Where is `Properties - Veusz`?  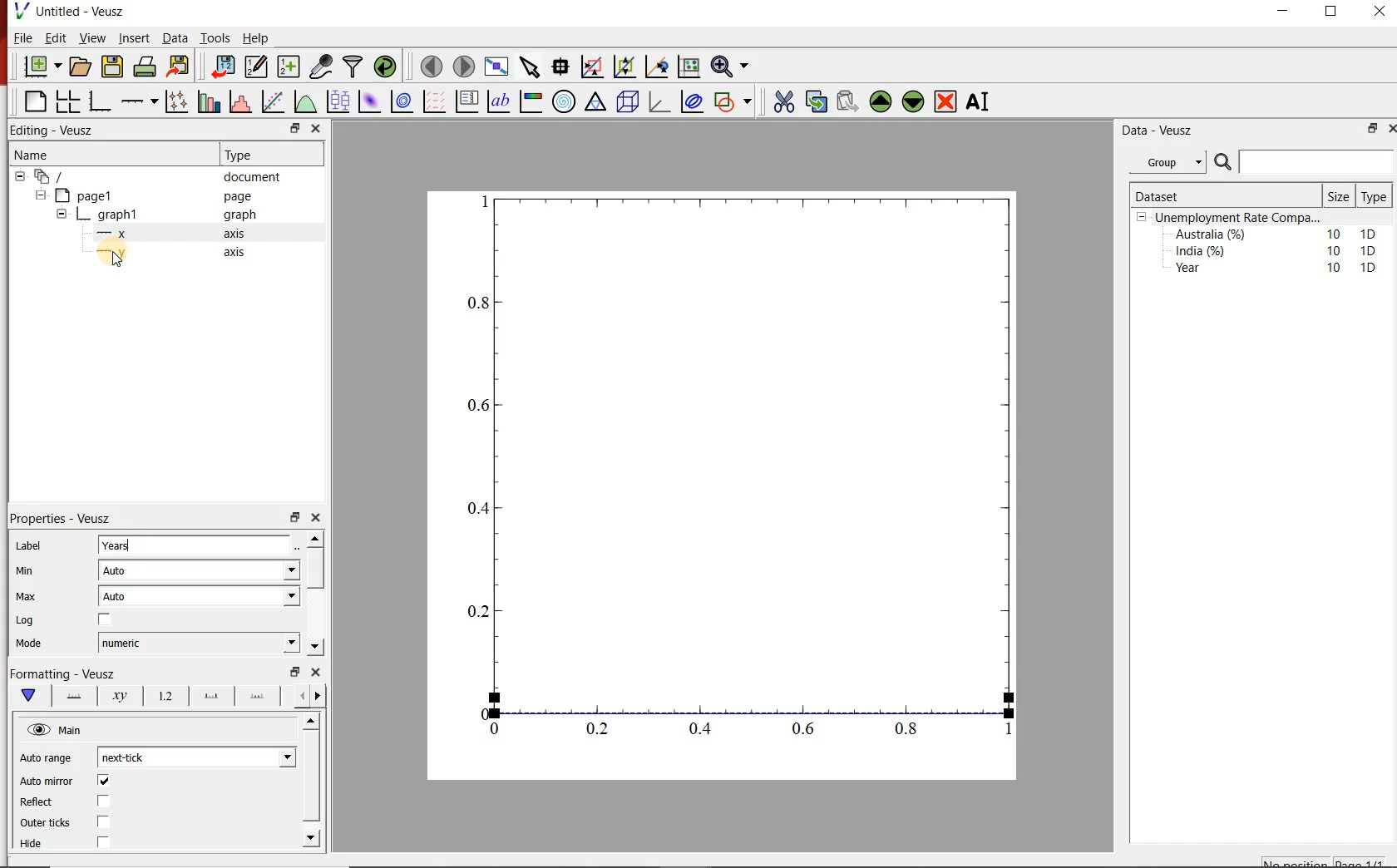
Properties - Veusz is located at coordinates (63, 520).